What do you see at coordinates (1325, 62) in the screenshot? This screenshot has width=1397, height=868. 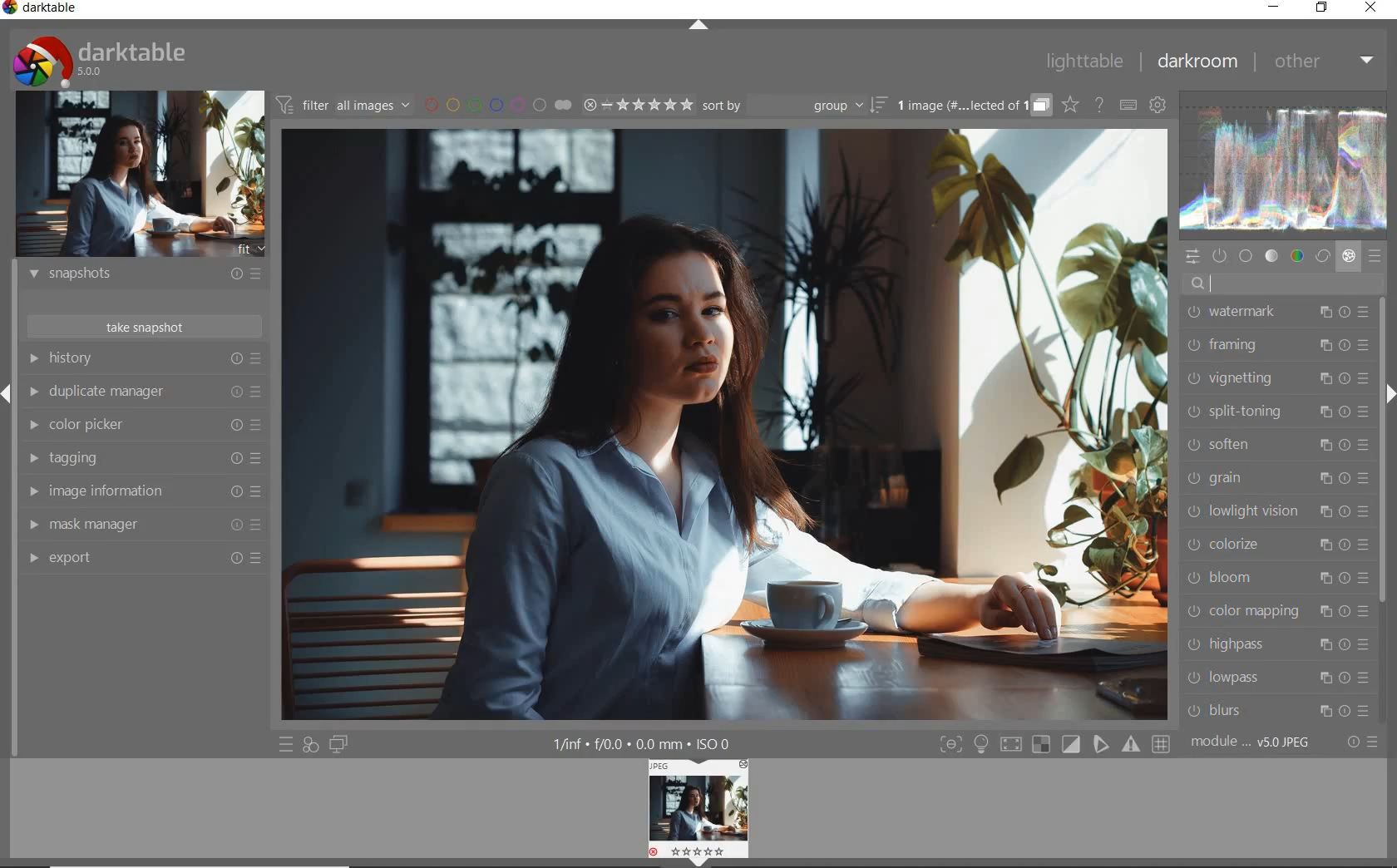 I see `other` at bounding box center [1325, 62].